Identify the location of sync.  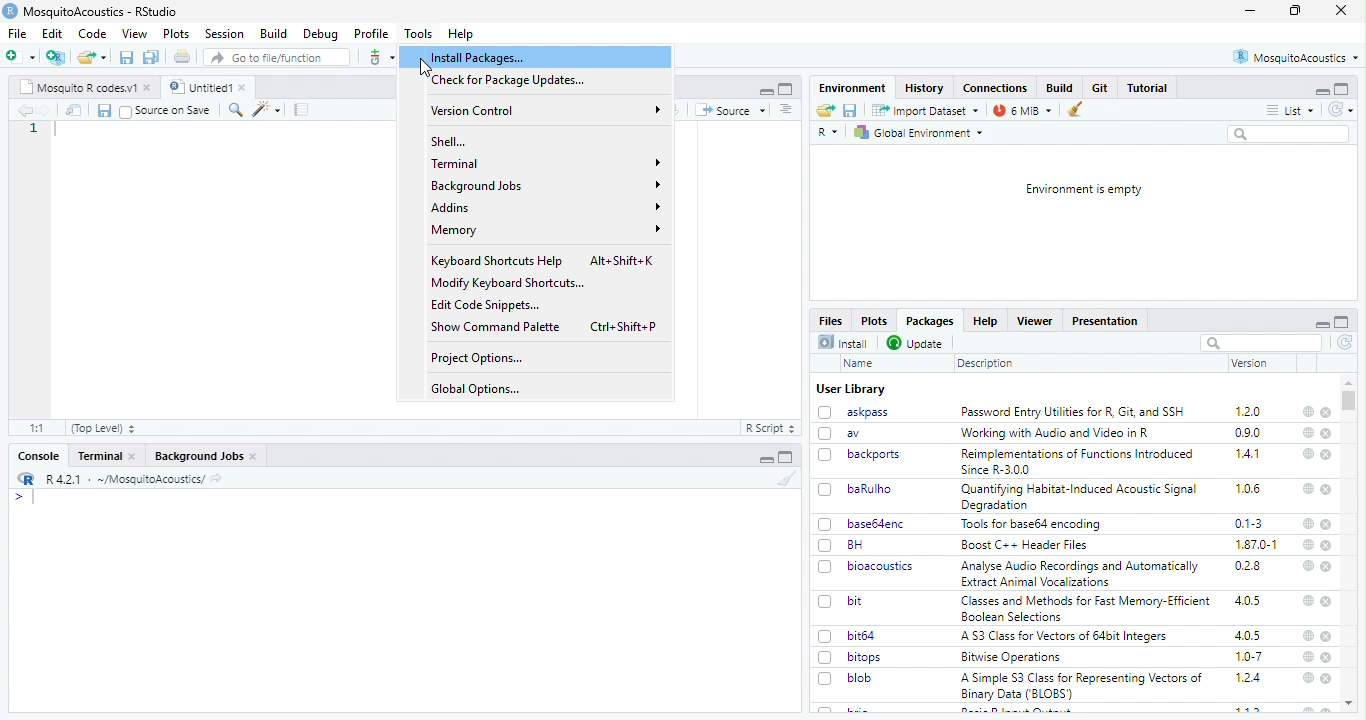
(1340, 110).